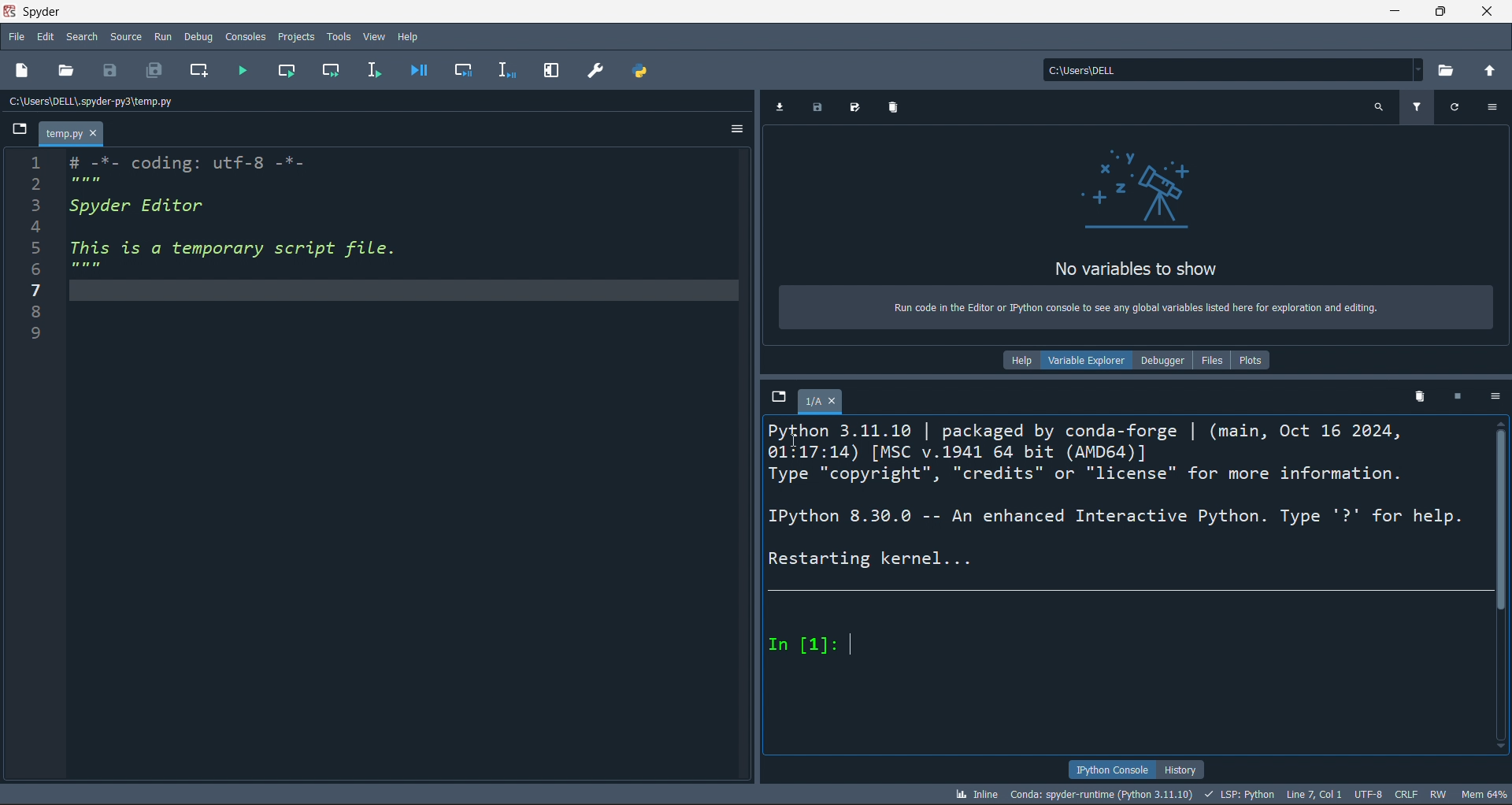  What do you see at coordinates (247, 38) in the screenshot?
I see `Consoles` at bounding box center [247, 38].